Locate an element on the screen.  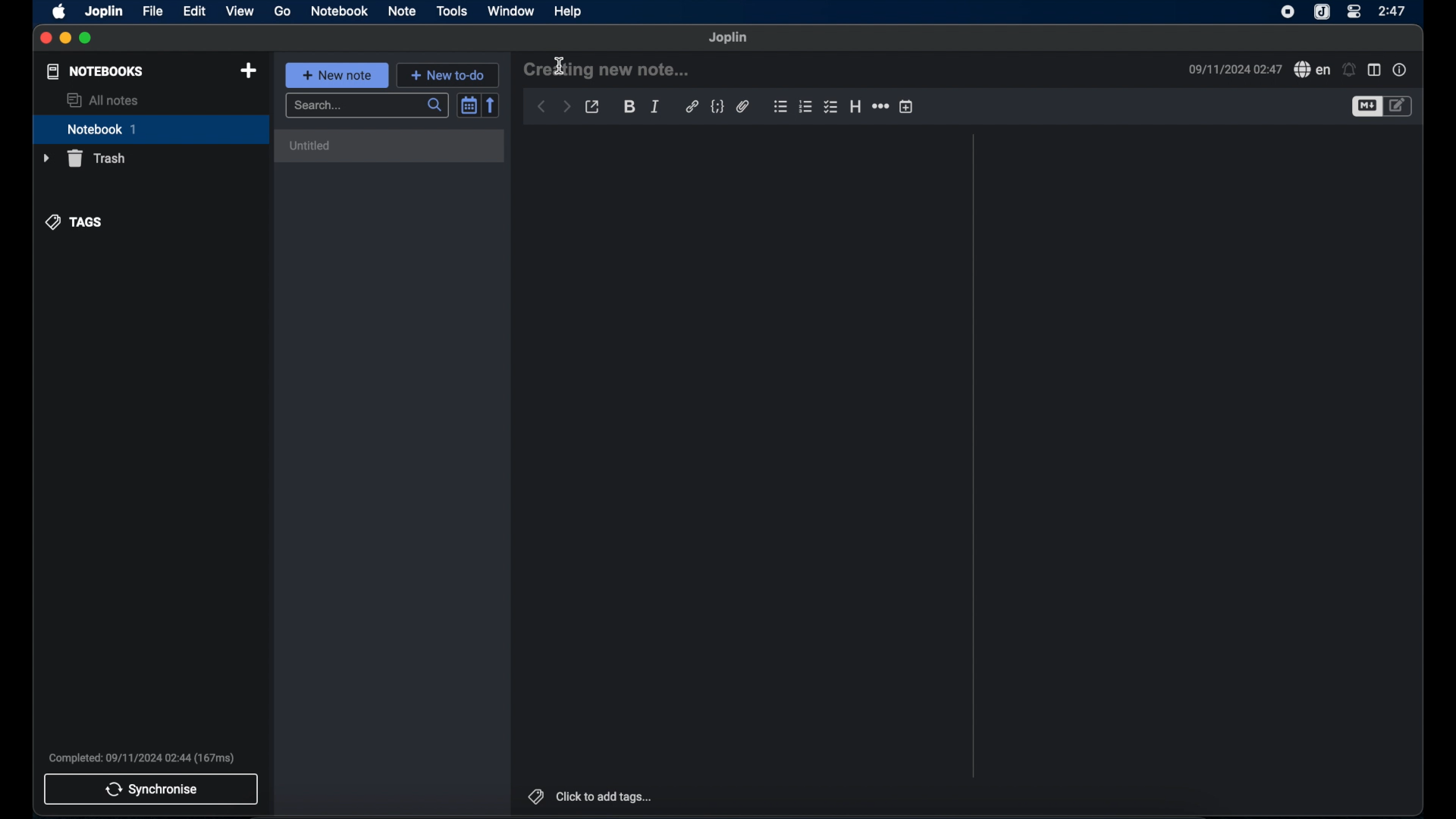
toggle editor is located at coordinates (1401, 105).